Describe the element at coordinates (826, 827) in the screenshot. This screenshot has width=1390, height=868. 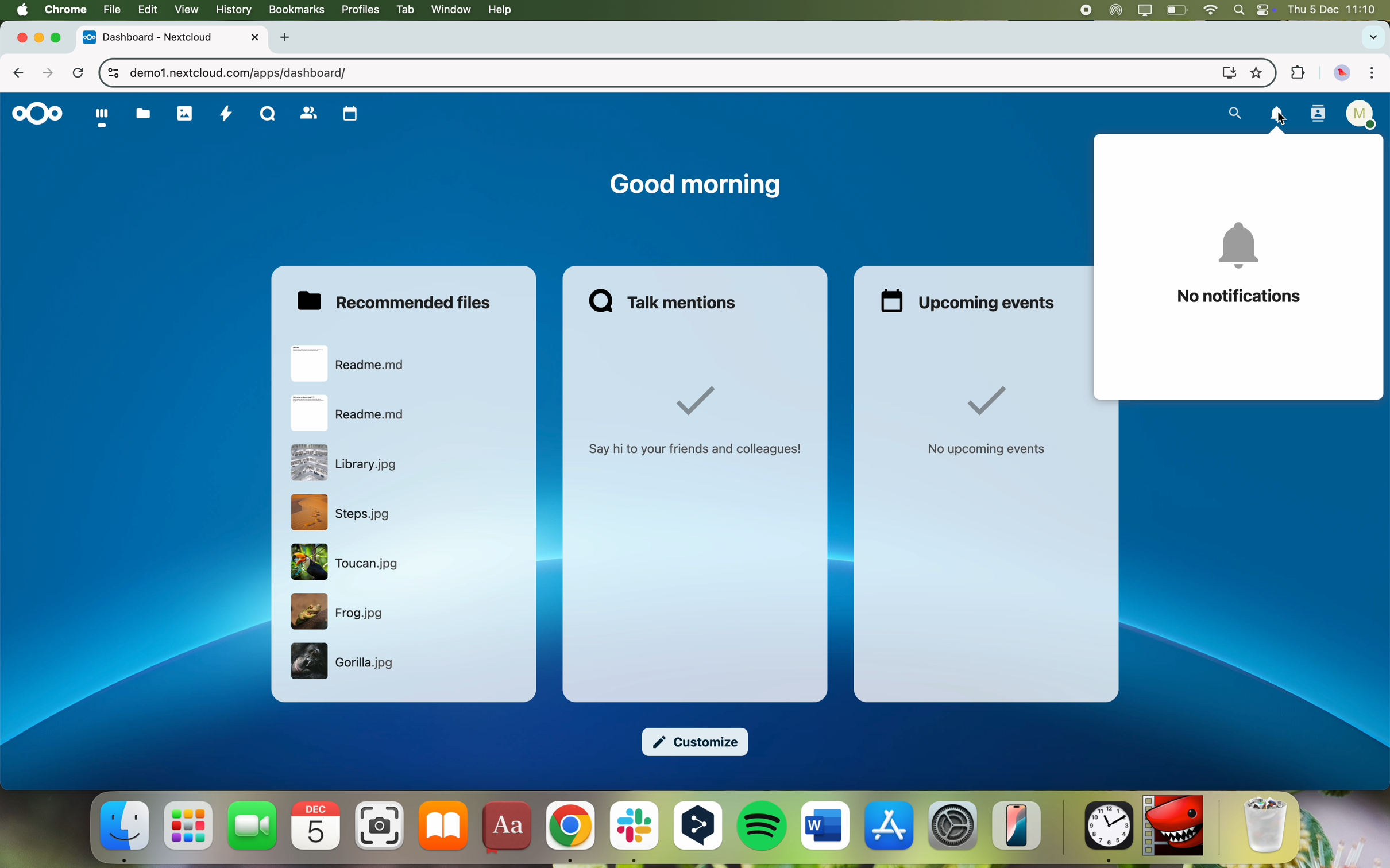
I see `Word` at that location.